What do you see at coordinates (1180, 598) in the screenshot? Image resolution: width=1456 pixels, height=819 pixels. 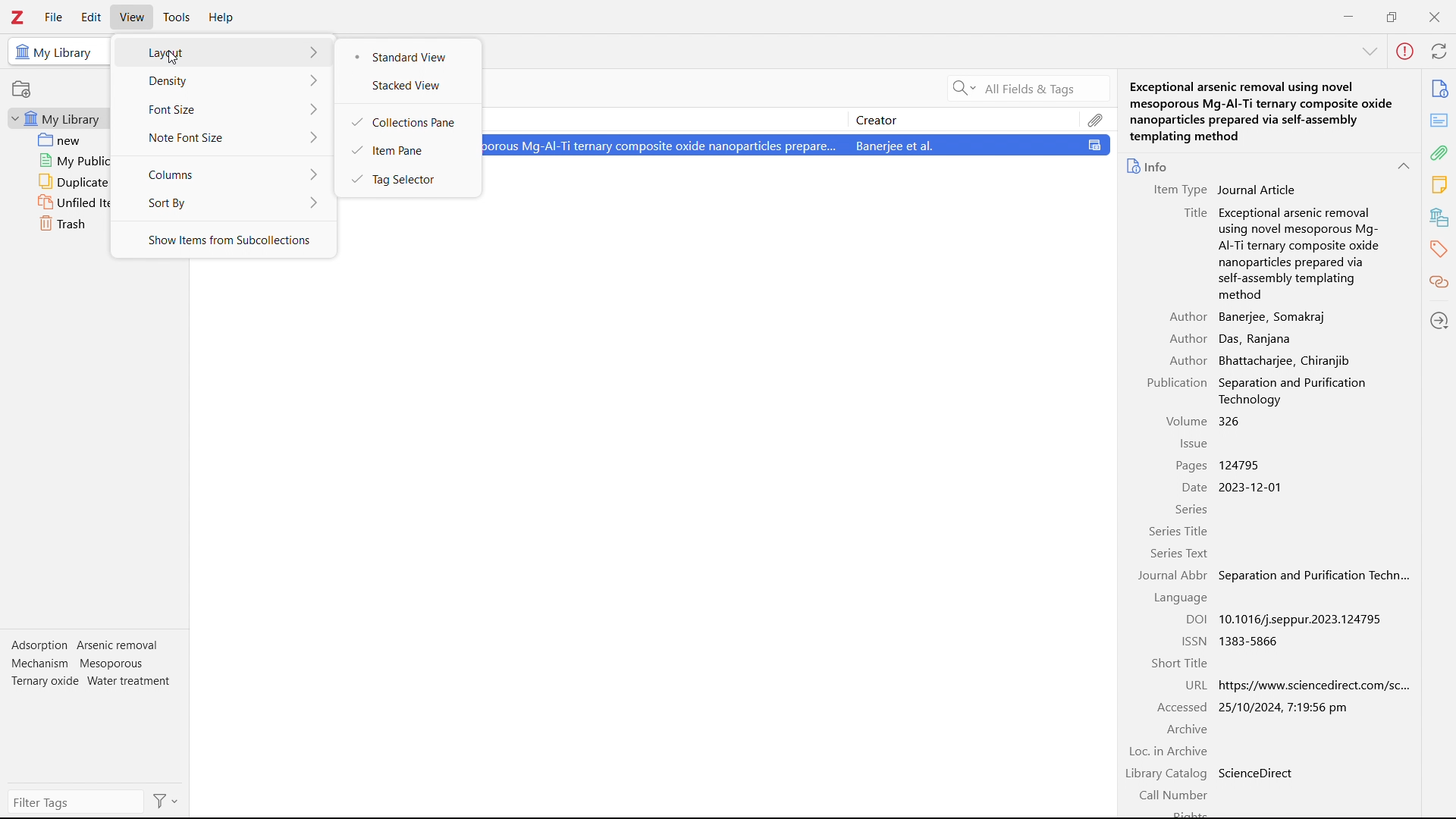 I see `Language` at bounding box center [1180, 598].